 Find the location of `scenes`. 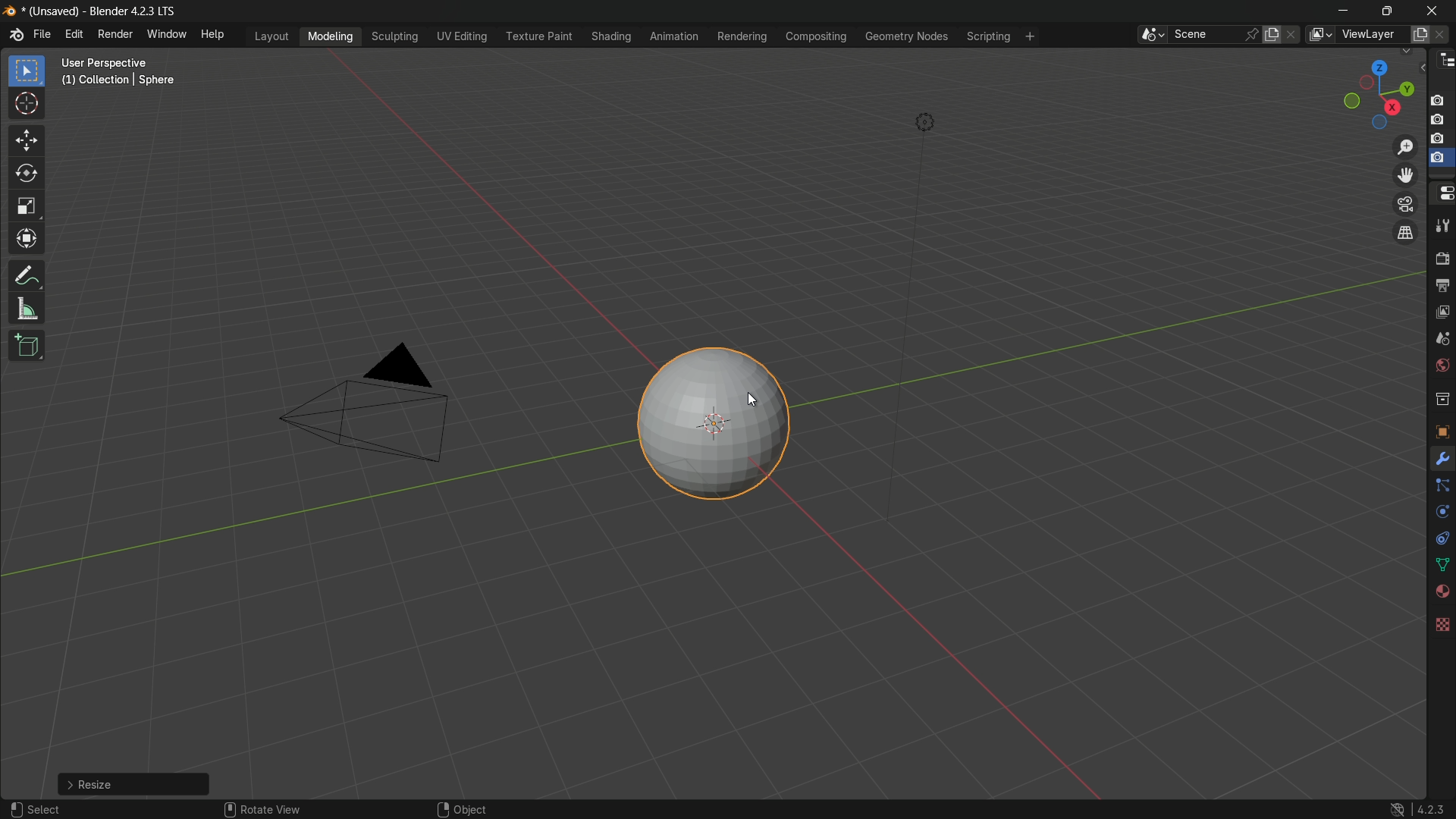

scenes is located at coordinates (1442, 340).